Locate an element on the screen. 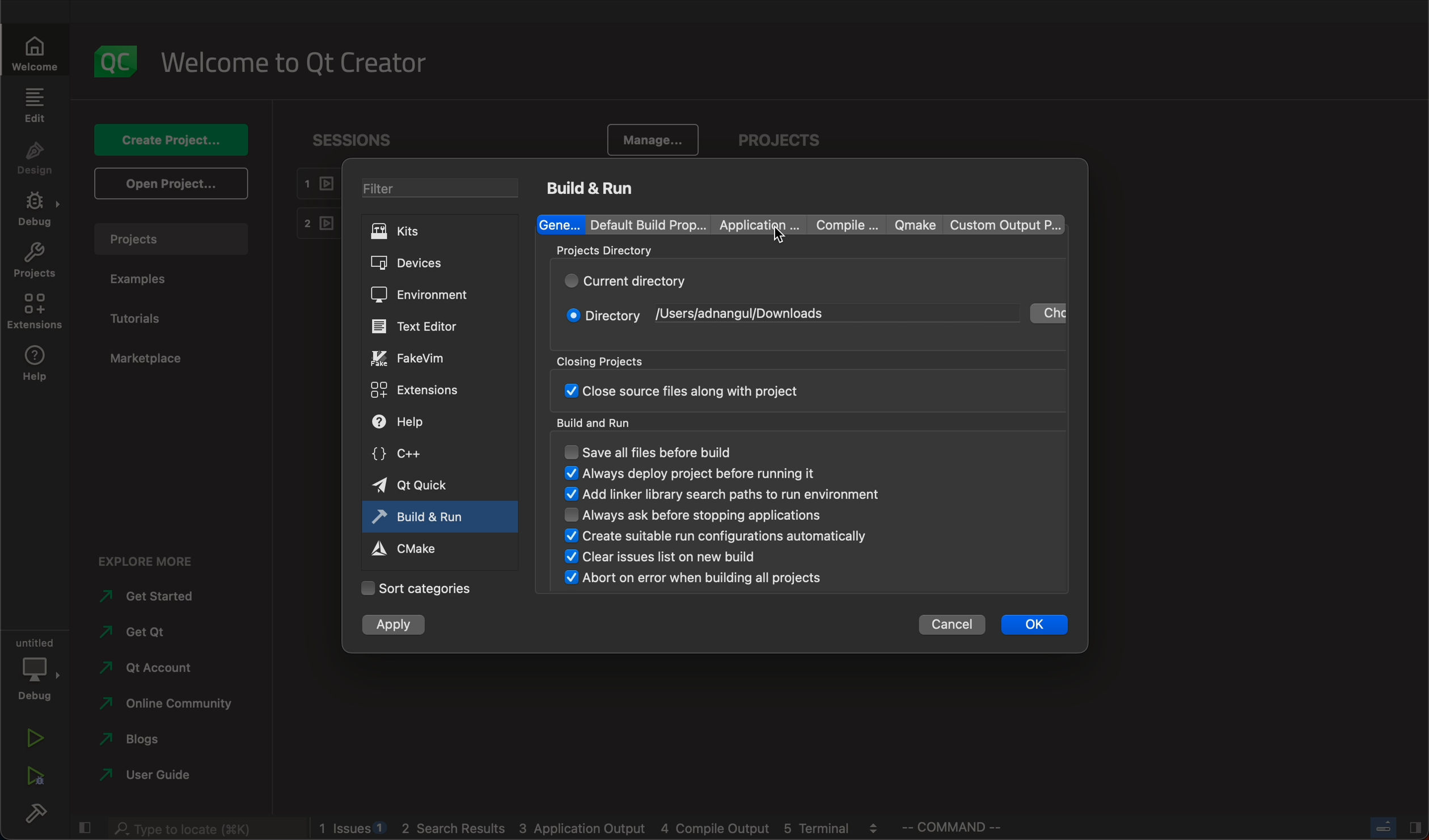 The width and height of the screenshot is (1429, 840). ' Directory /Users/adnangul/Downloads is located at coordinates (708, 316).